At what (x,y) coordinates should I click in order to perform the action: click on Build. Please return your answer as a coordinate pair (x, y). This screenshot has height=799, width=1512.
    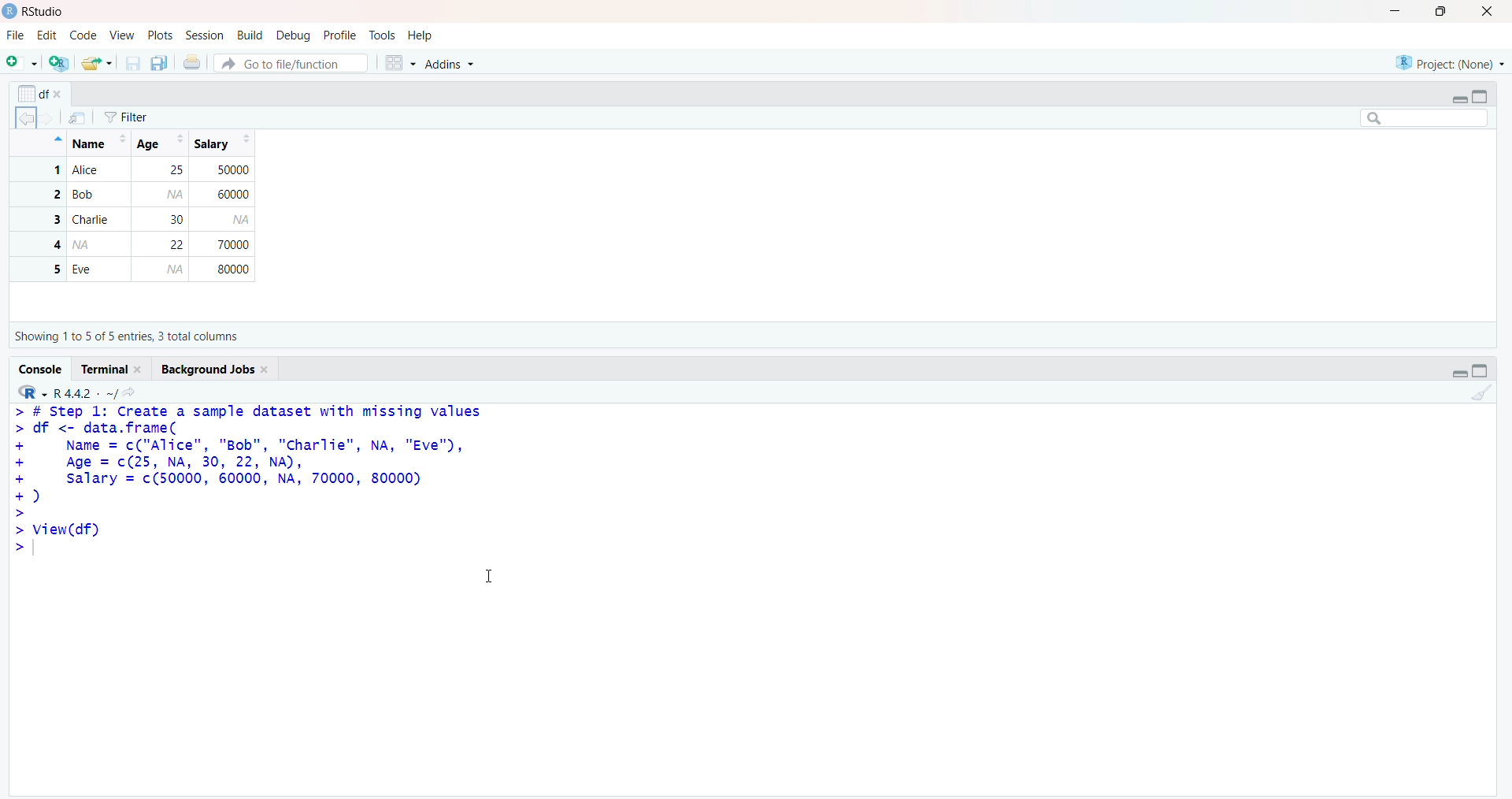
    Looking at the image, I should click on (250, 33).